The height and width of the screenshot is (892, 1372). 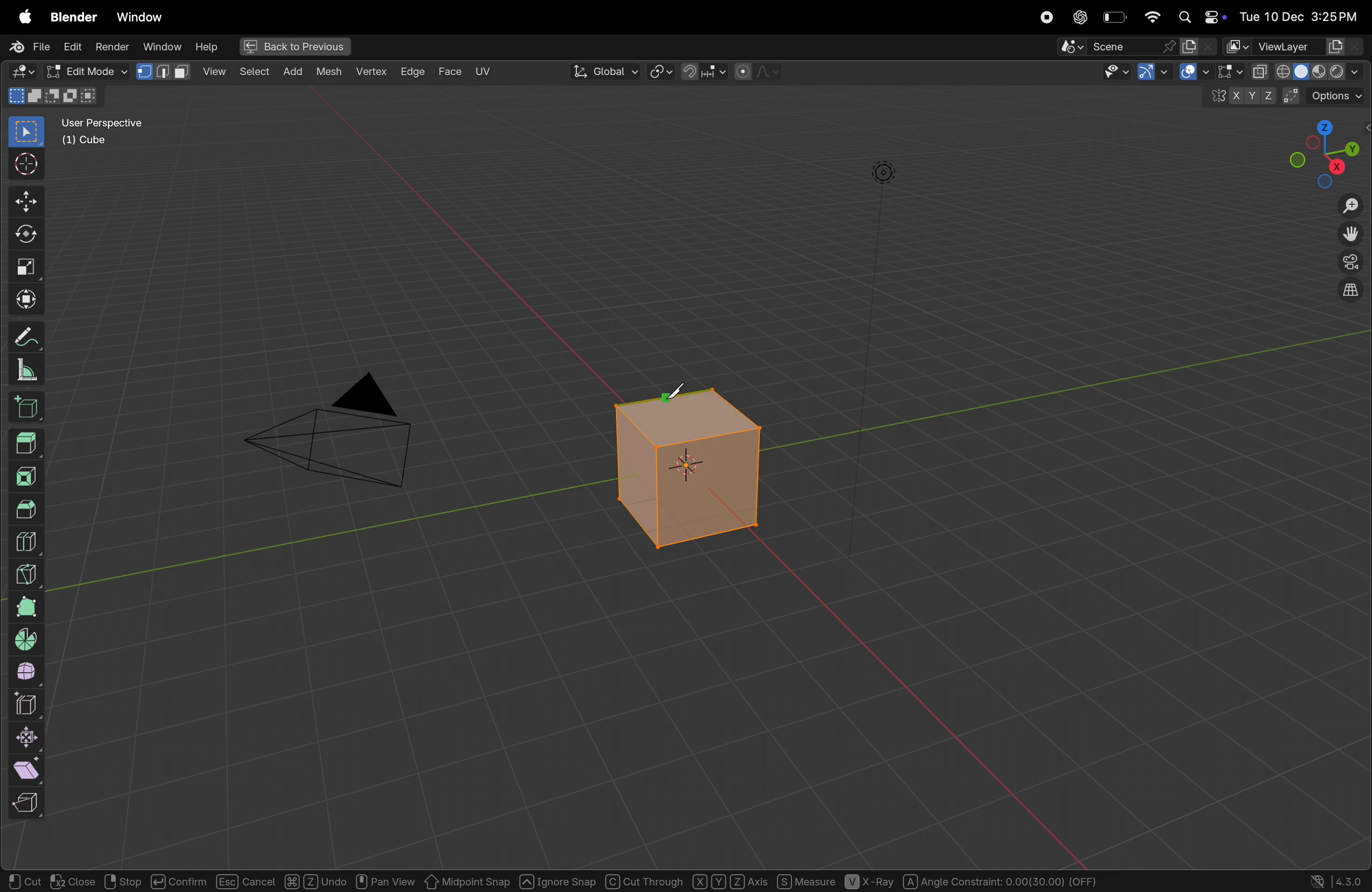 What do you see at coordinates (71, 16) in the screenshot?
I see `Blender` at bounding box center [71, 16].